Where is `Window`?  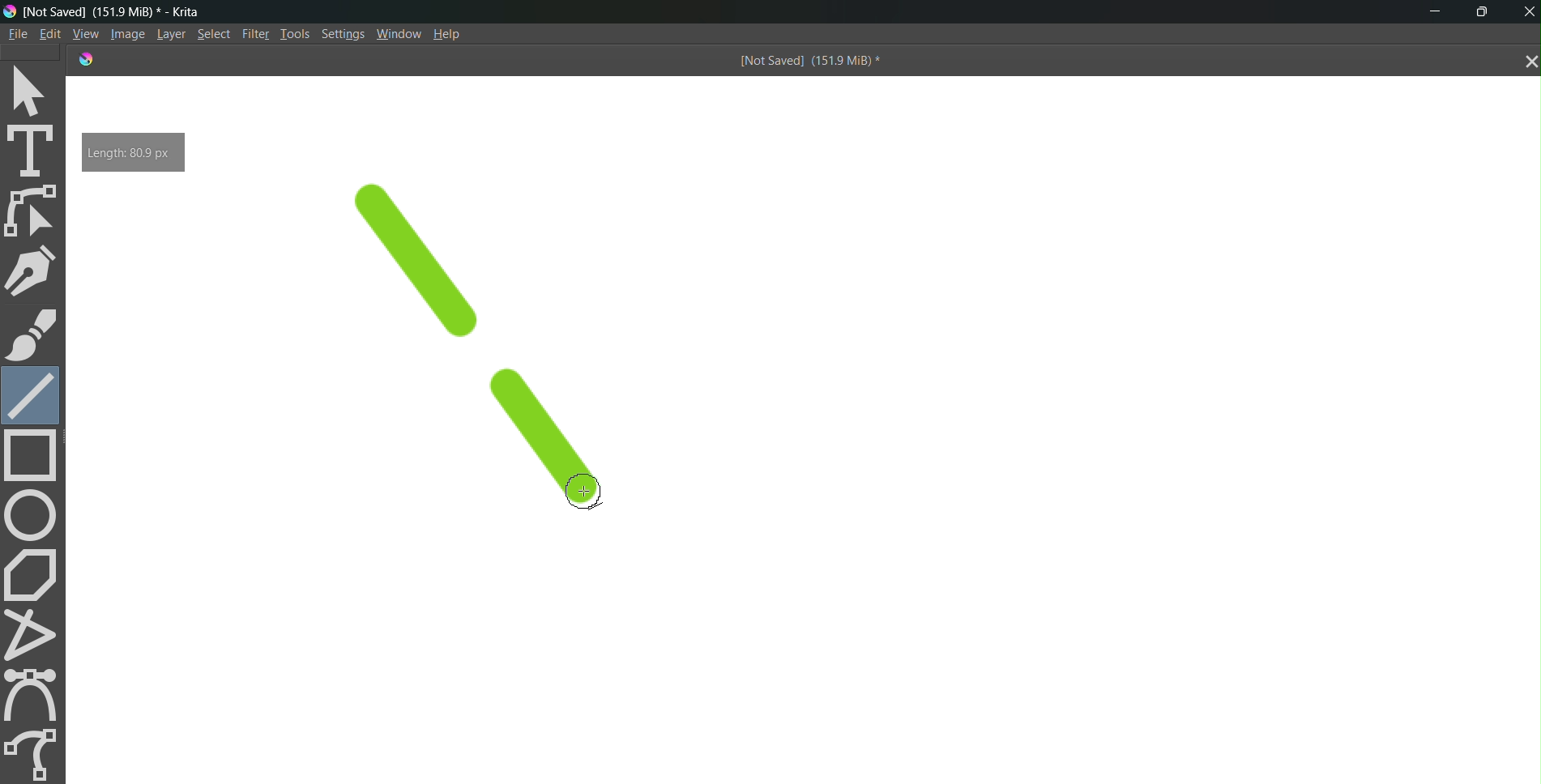 Window is located at coordinates (399, 34).